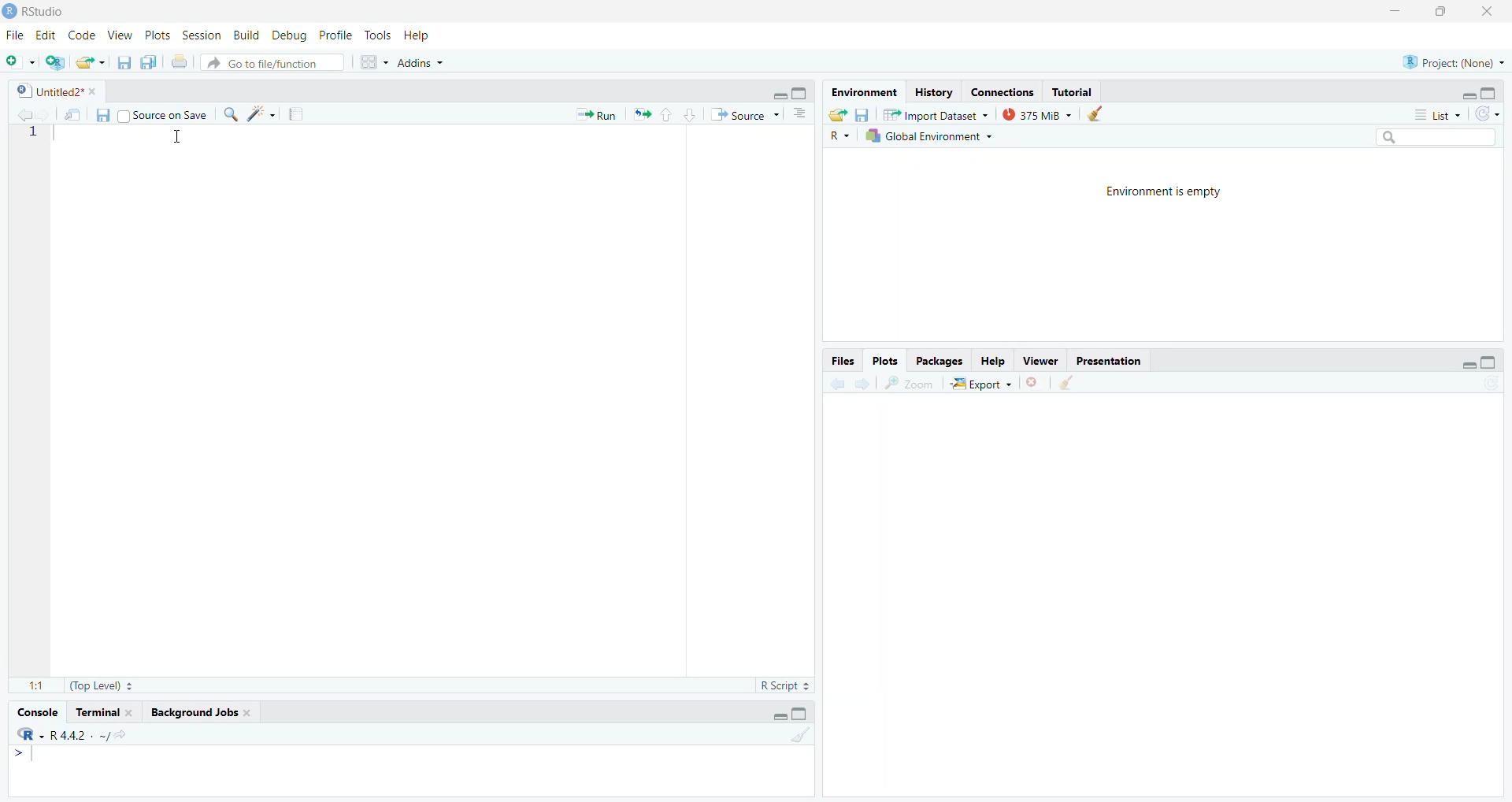 This screenshot has height=802, width=1512. What do you see at coordinates (120, 36) in the screenshot?
I see ` View` at bounding box center [120, 36].